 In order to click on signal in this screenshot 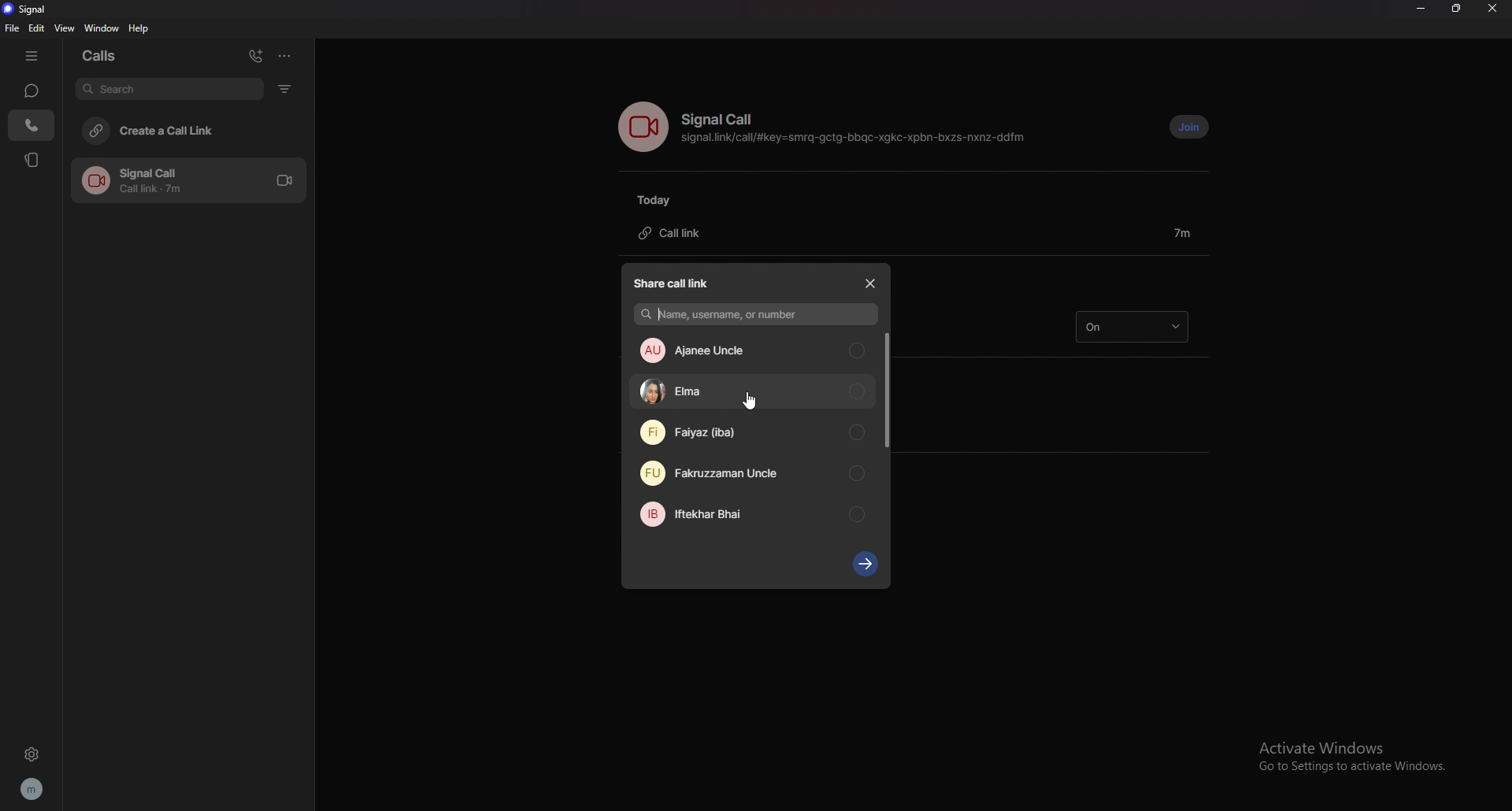, I will do `click(31, 9)`.